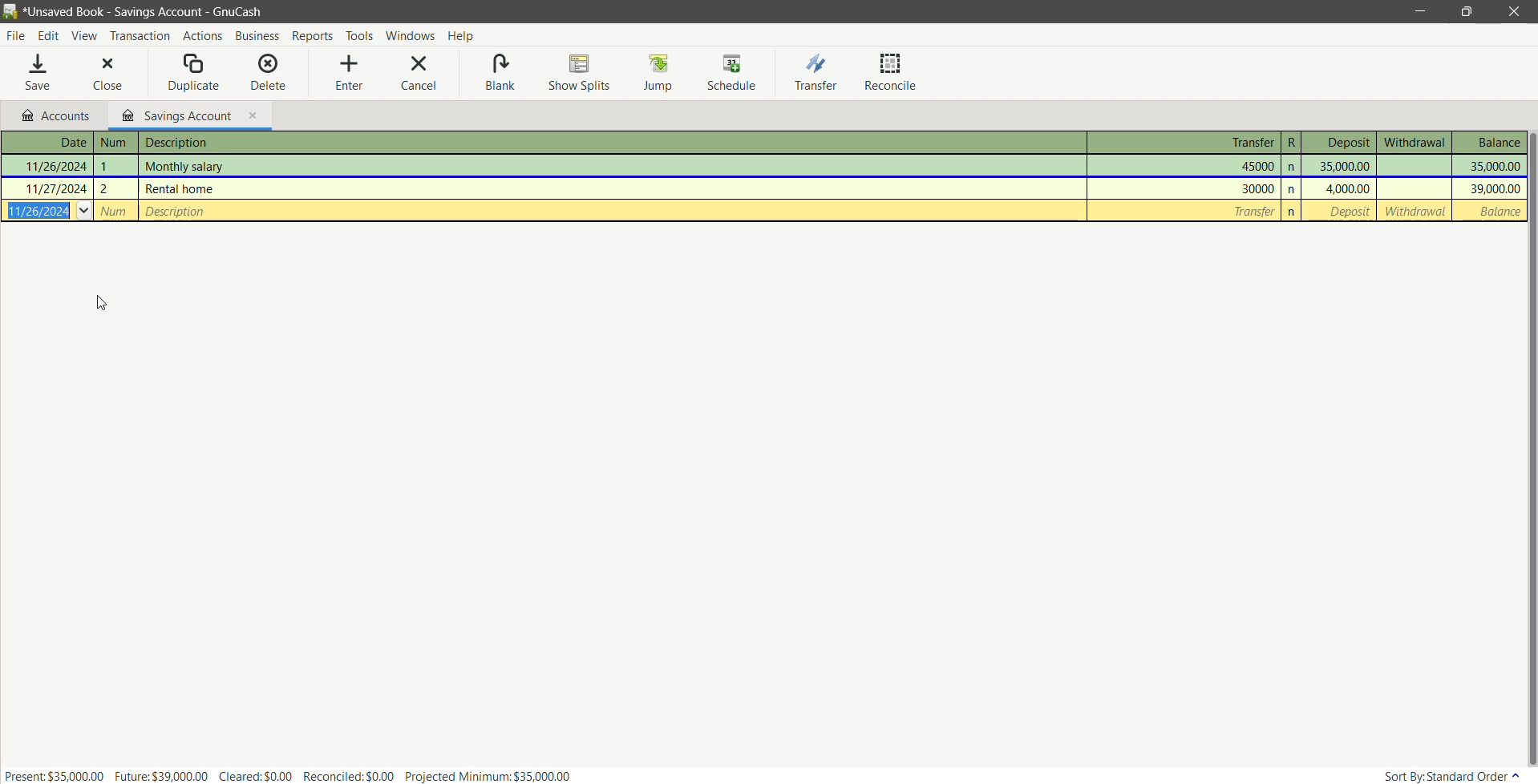 The width and height of the screenshot is (1538, 784). What do you see at coordinates (661, 72) in the screenshot?
I see `Jump` at bounding box center [661, 72].